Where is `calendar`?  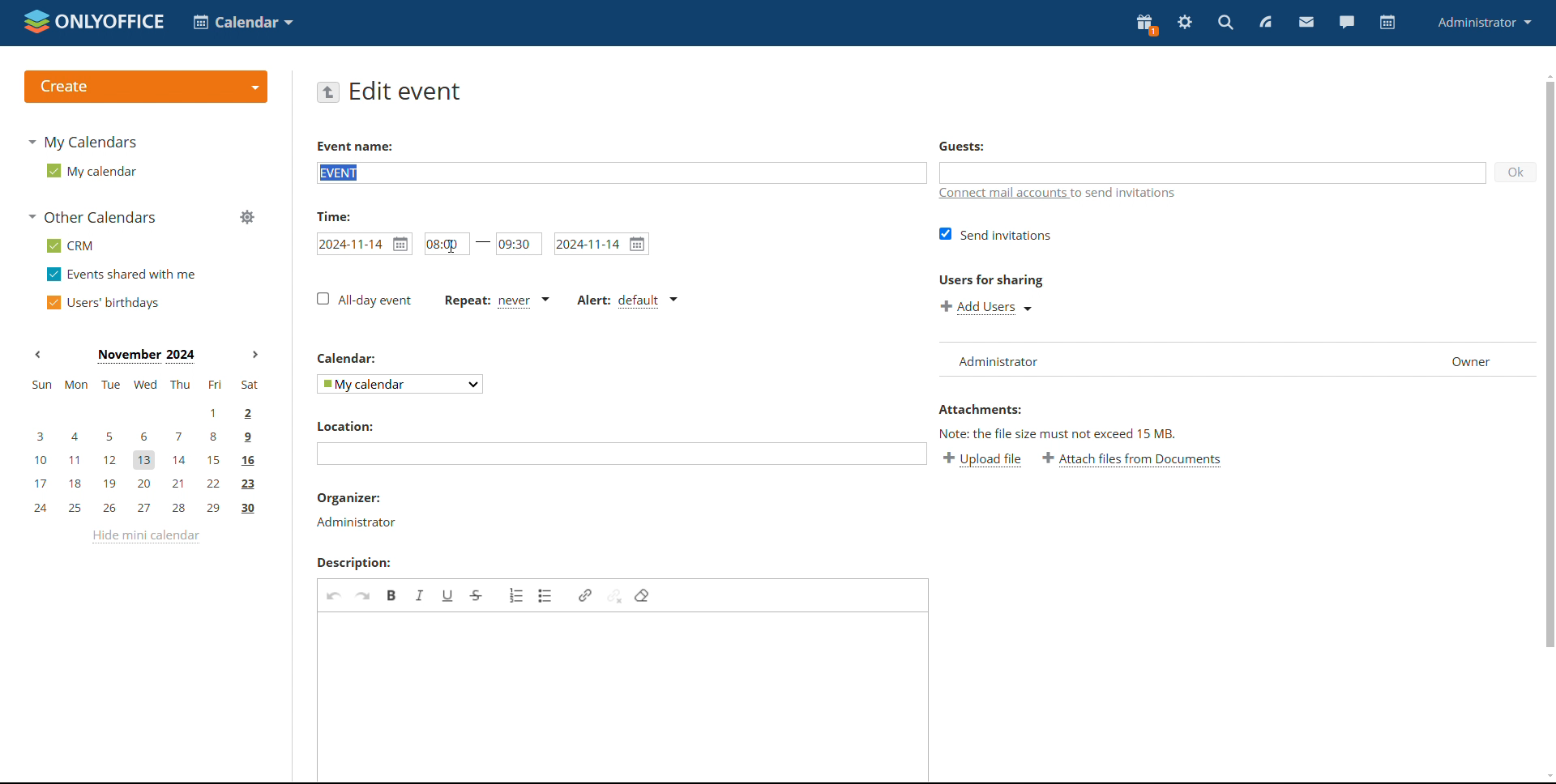
calendar is located at coordinates (1386, 23).